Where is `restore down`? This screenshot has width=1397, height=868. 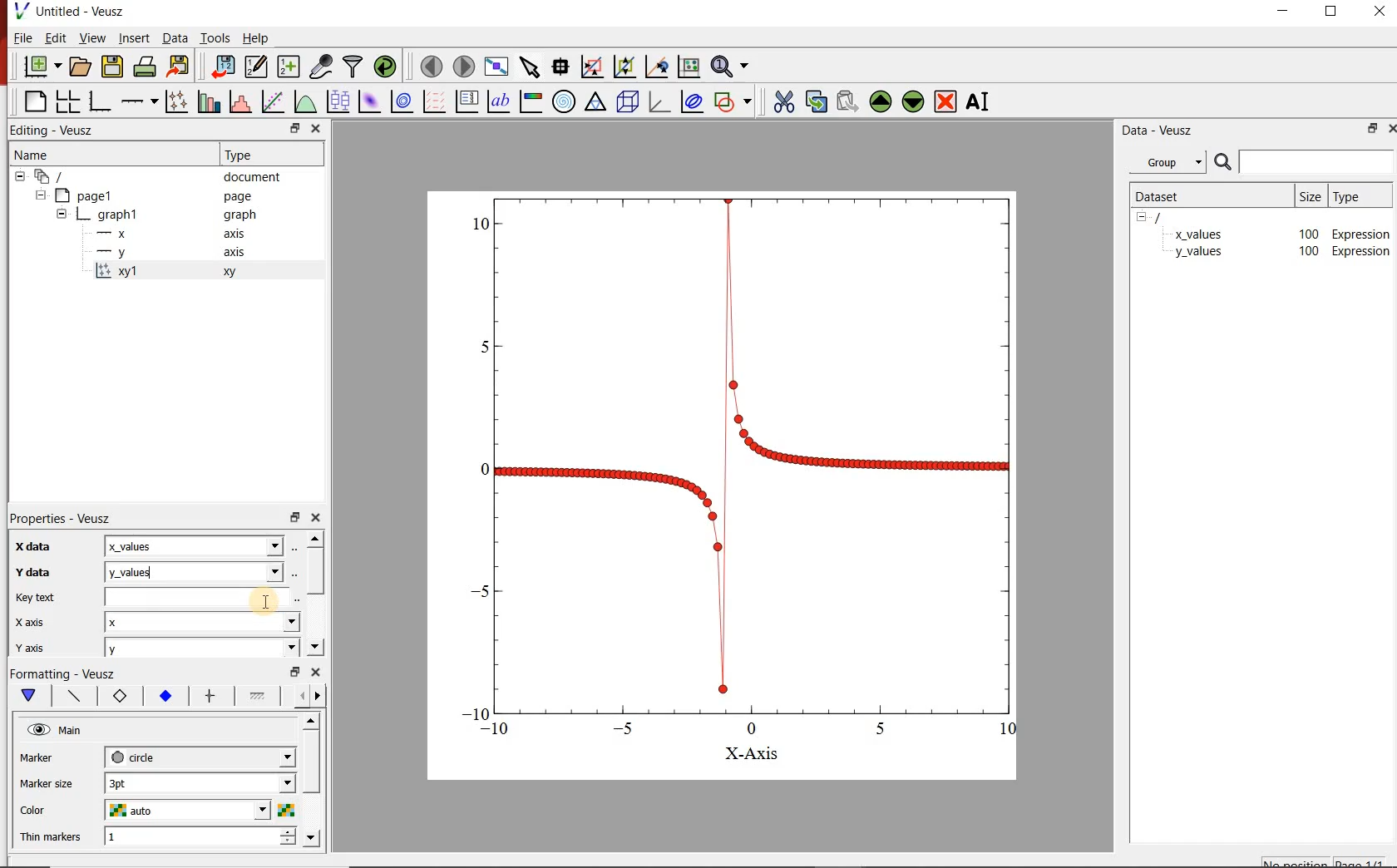 restore down is located at coordinates (1330, 12).